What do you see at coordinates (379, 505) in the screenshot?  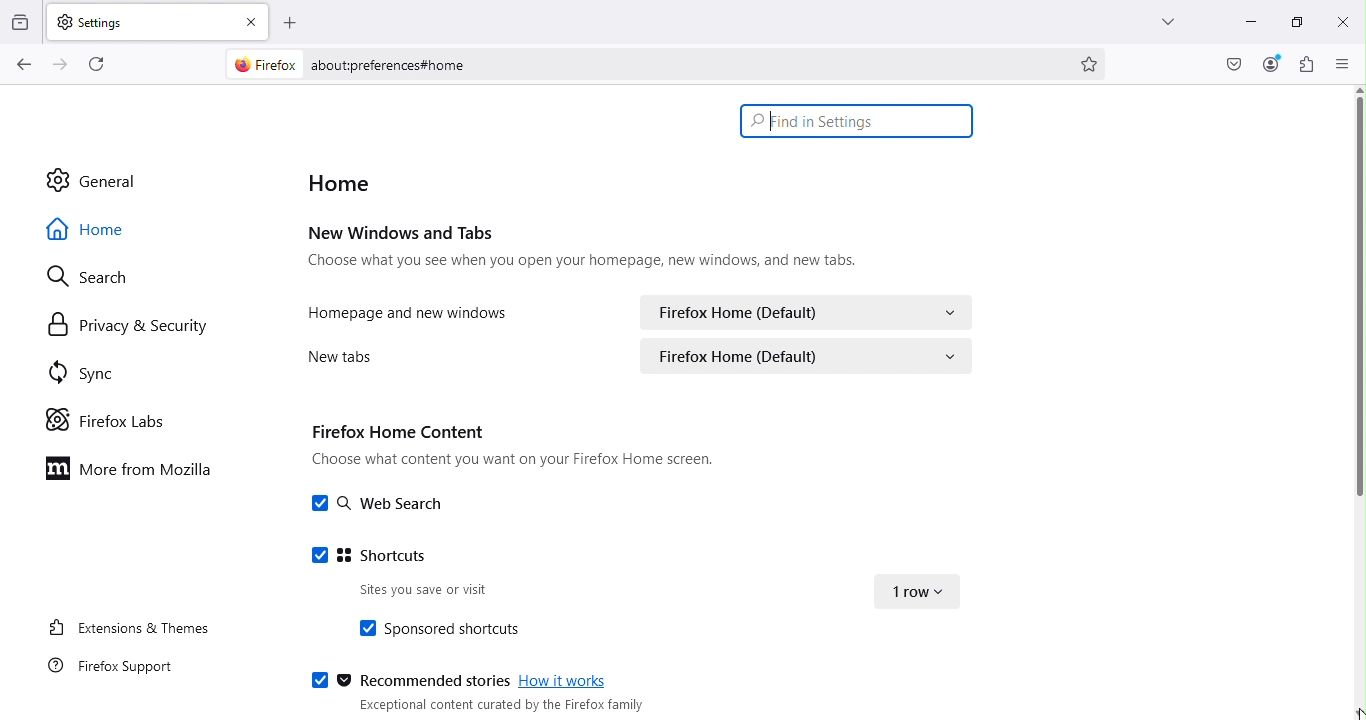 I see `Web search` at bounding box center [379, 505].